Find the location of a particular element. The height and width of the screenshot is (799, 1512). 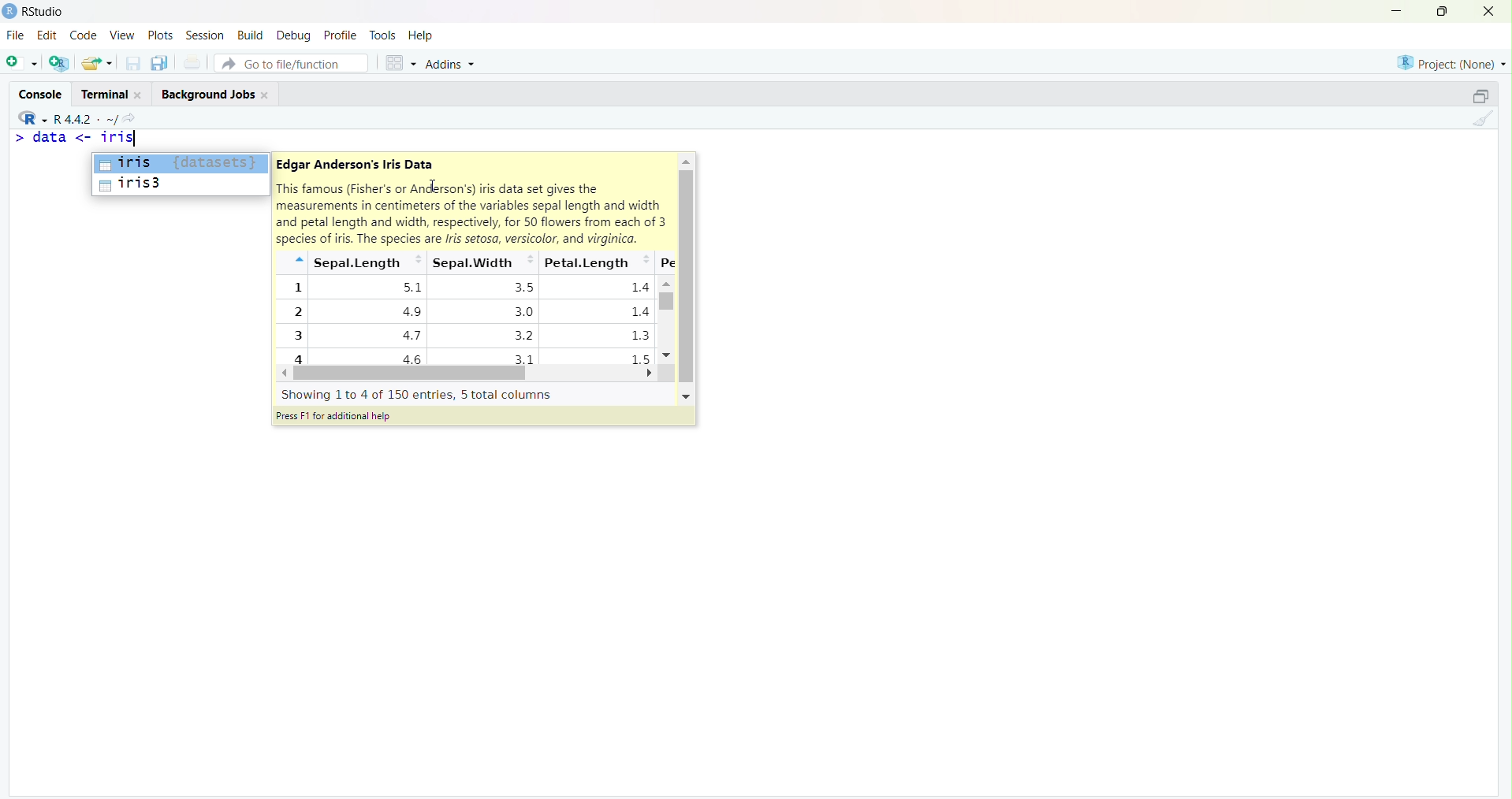

Terminal is located at coordinates (110, 91).